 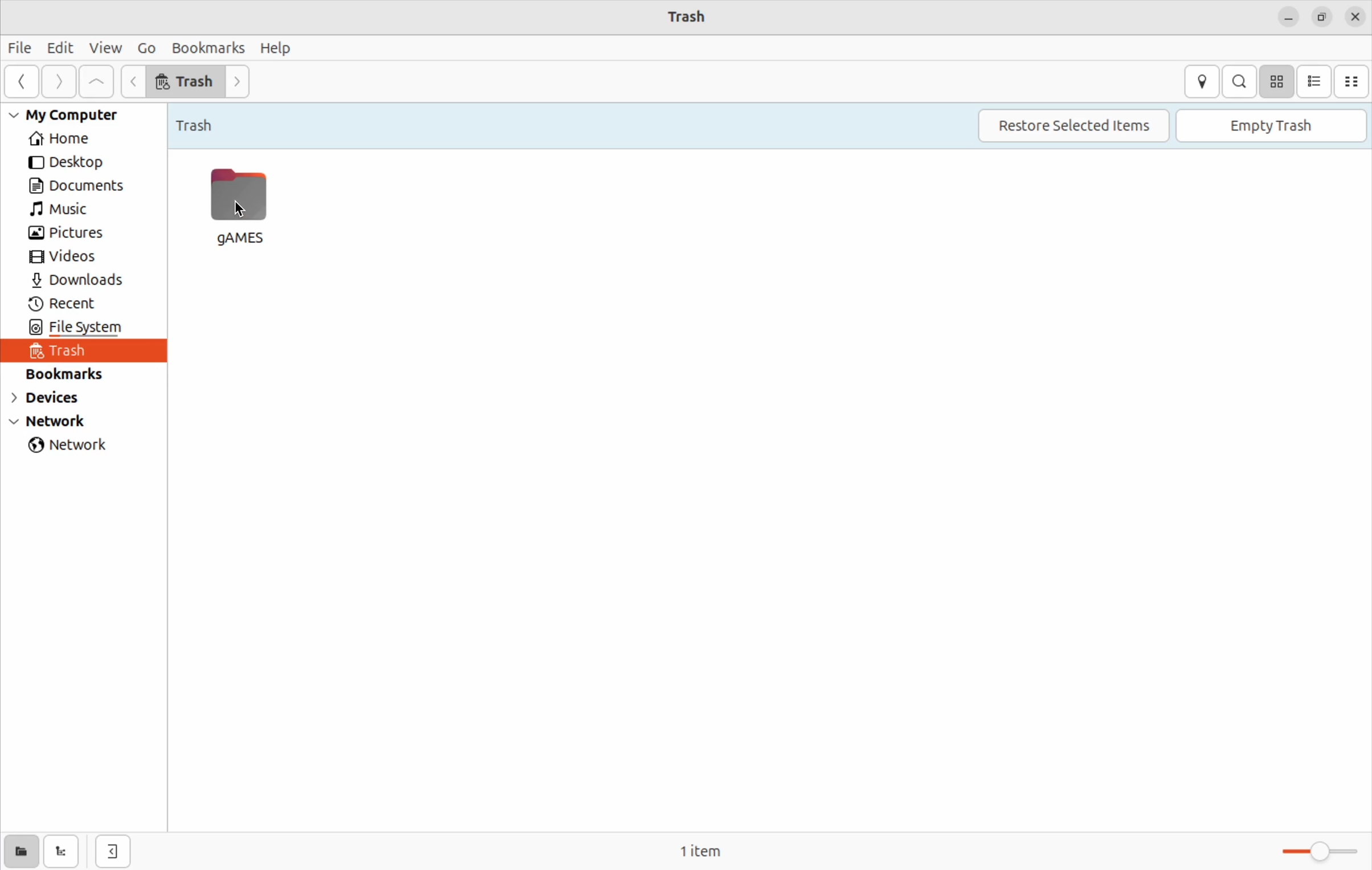 What do you see at coordinates (61, 47) in the screenshot?
I see `Edit` at bounding box center [61, 47].